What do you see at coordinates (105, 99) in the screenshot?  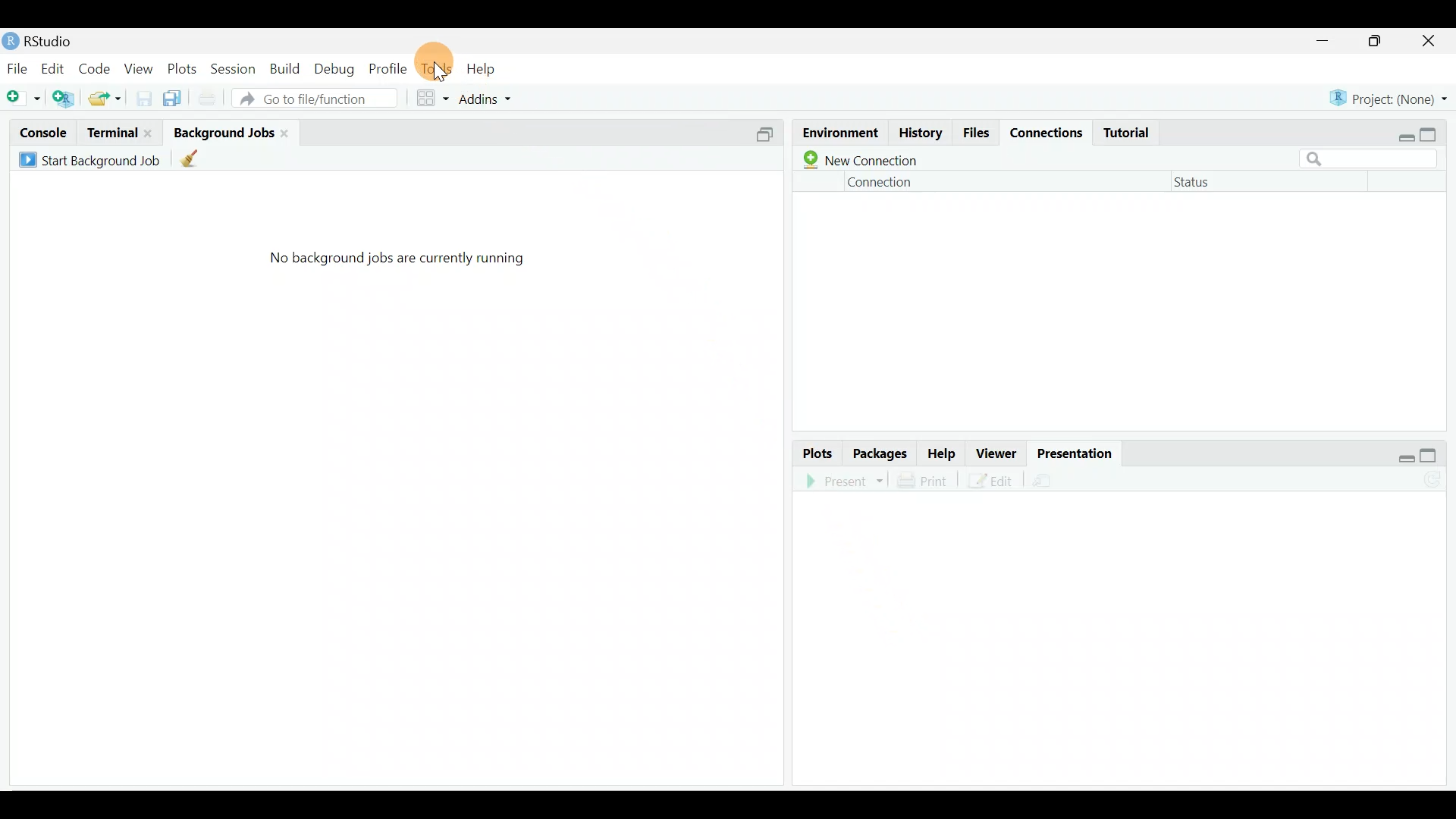 I see `open an existing file` at bounding box center [105, 99].